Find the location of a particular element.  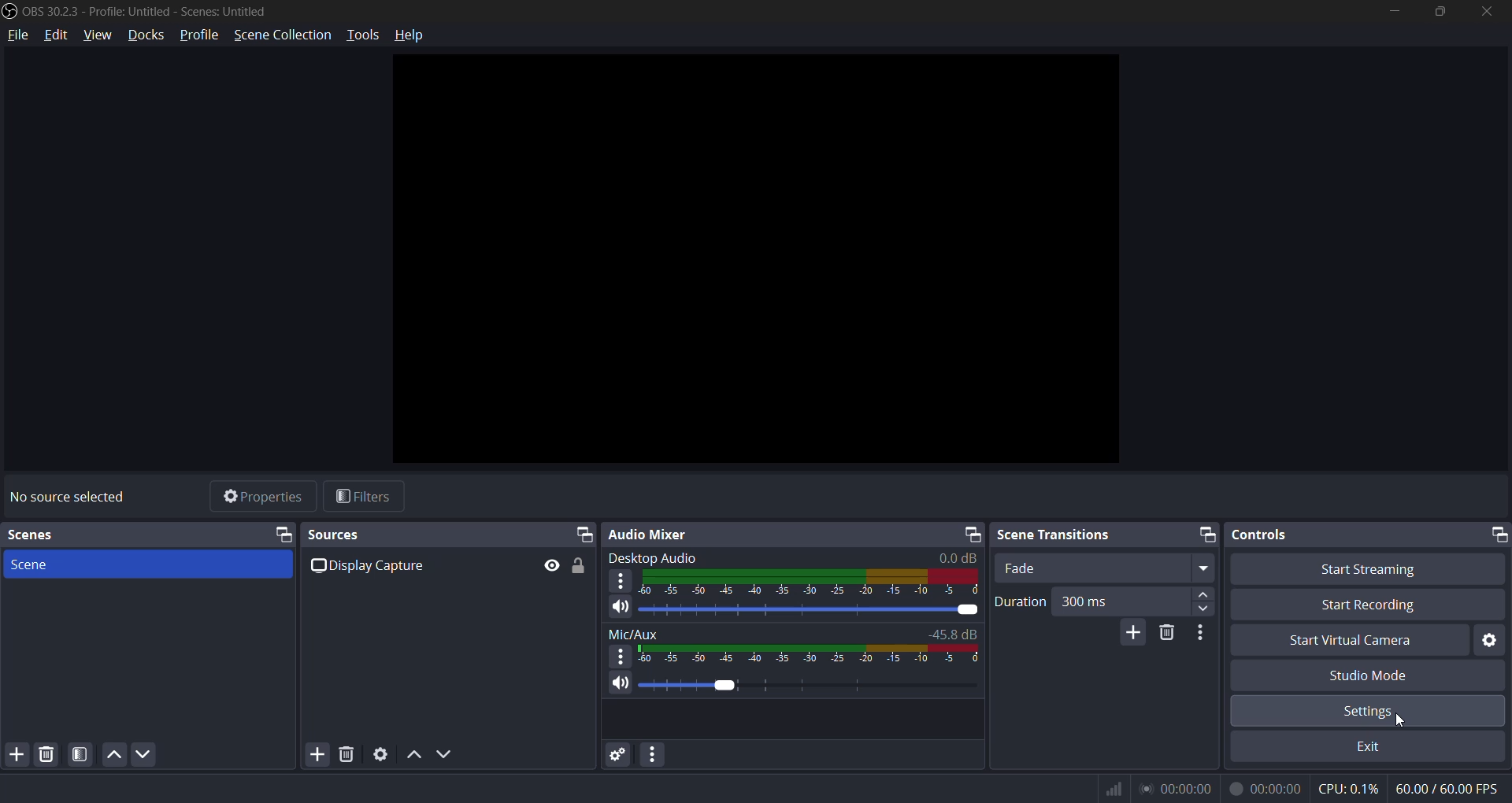

advanced audio properties is located at coordinates (618, 755).